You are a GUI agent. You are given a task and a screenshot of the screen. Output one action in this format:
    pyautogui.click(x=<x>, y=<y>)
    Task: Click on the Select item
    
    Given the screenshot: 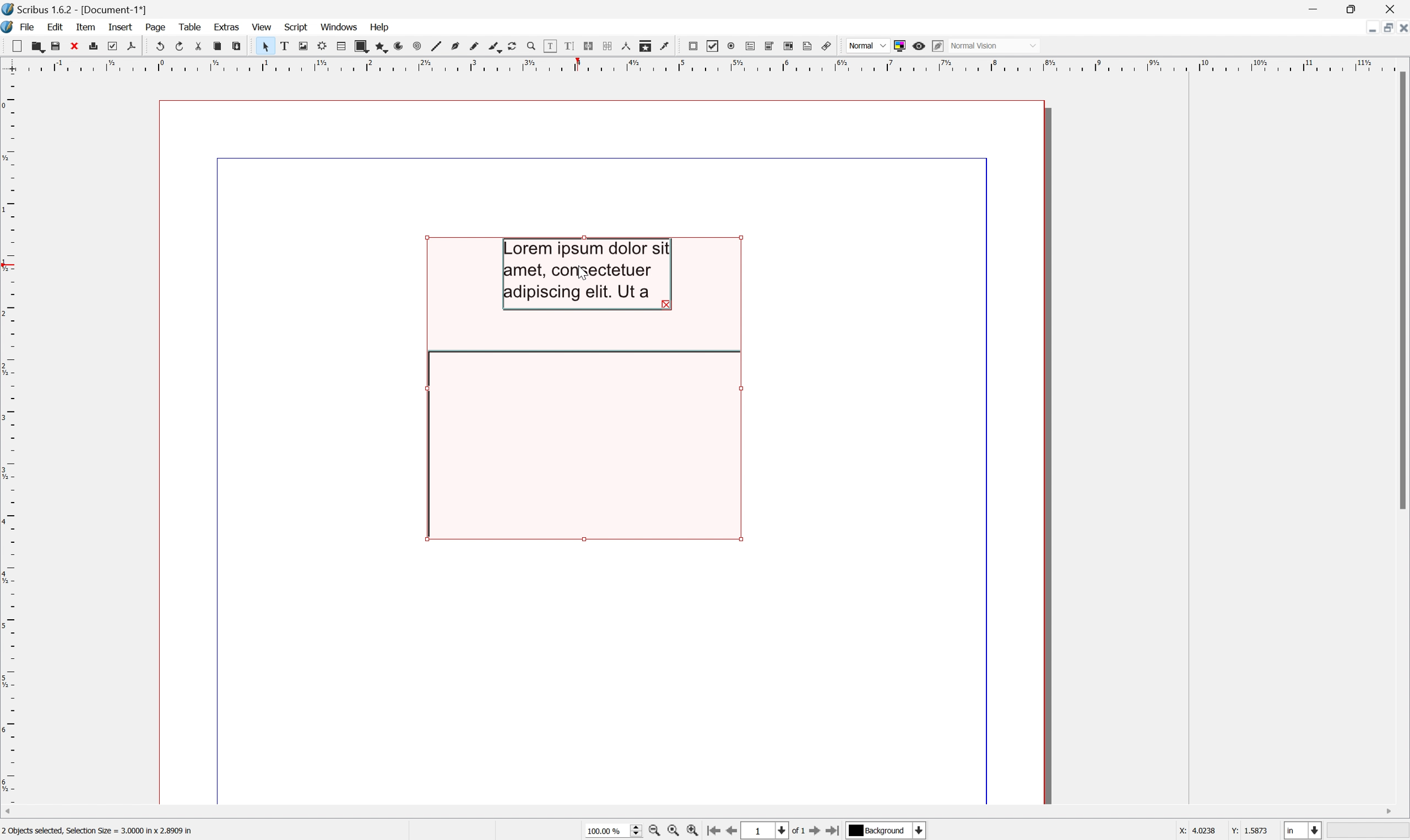 What is the action you would take?
    pyautogui.click(x=262, y=46)
    